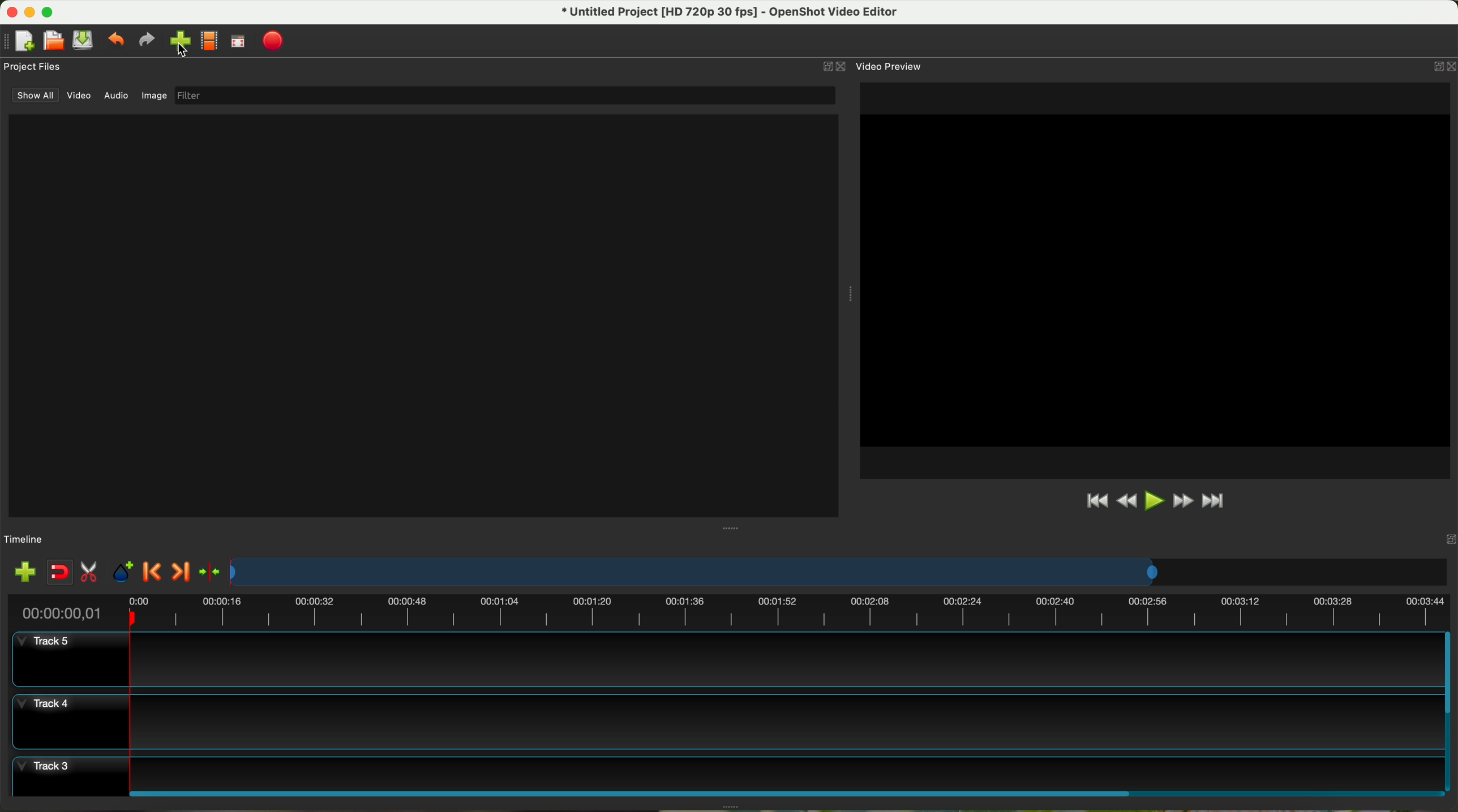 The width and height of the screenshot is (1458, 812). Describe the element at coordinates (33, 95) in the screenshot. I see `show all` at that location.